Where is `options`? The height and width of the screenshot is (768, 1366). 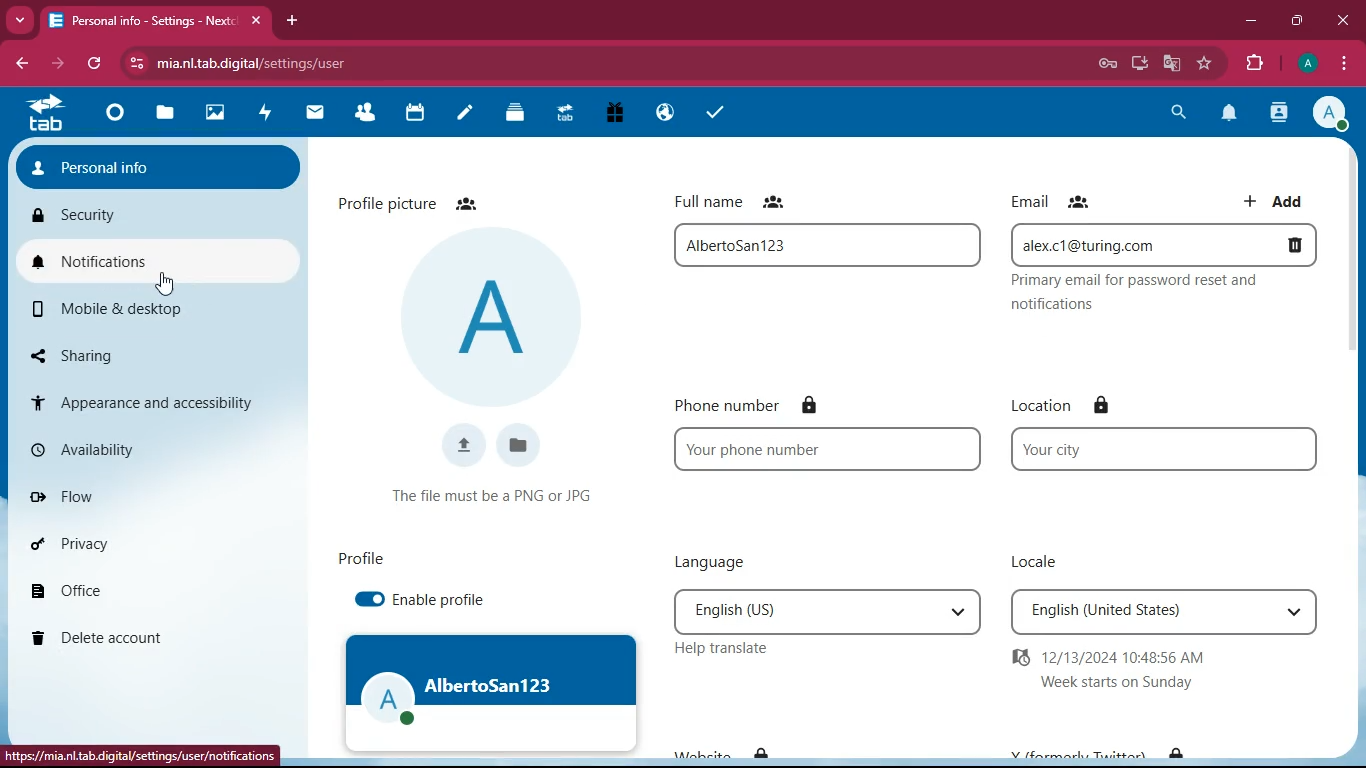
options is located at coordinates (1345, 63).